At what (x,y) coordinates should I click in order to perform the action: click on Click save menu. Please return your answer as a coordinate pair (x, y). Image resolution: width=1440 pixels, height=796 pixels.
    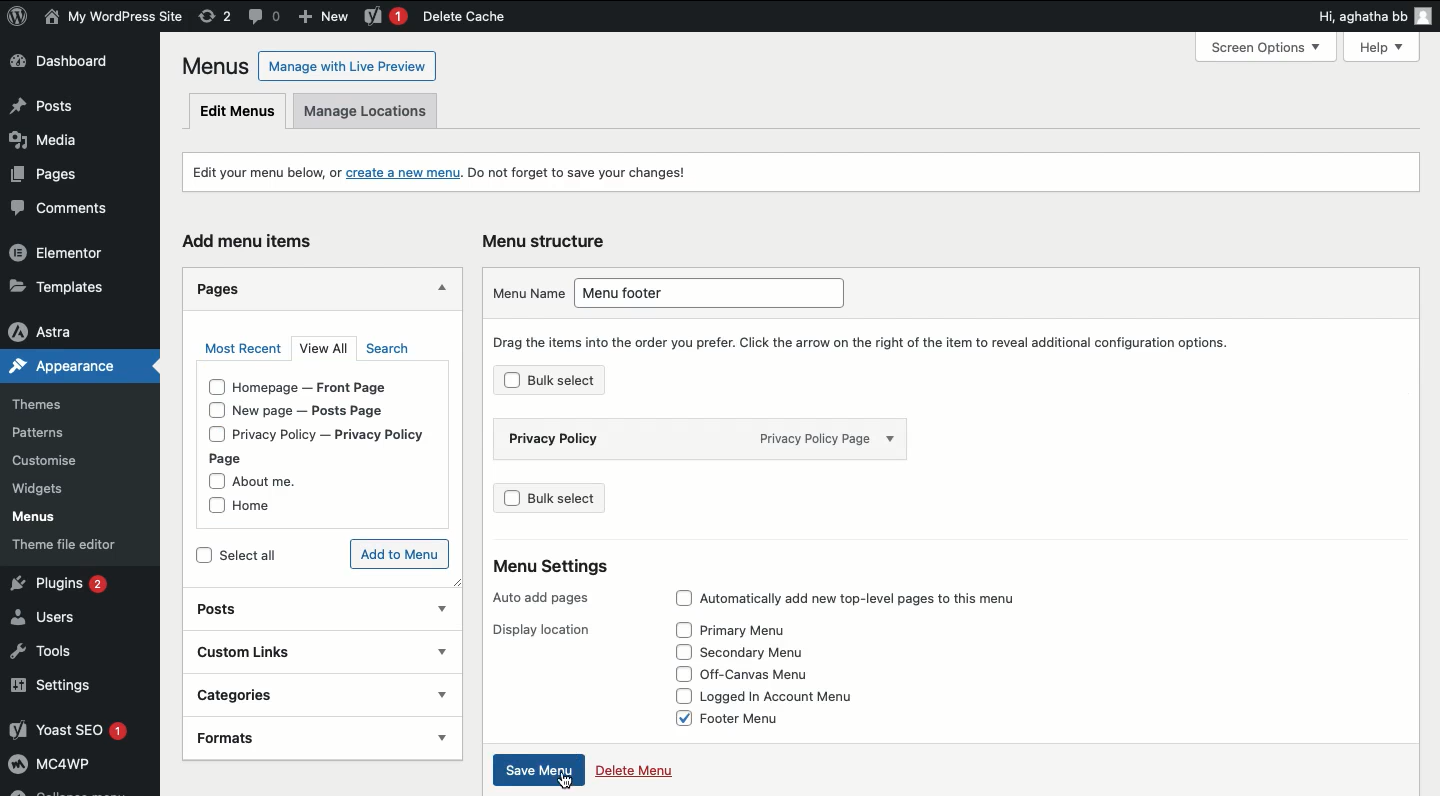
    Looking at the image, I should click on (536, 771).